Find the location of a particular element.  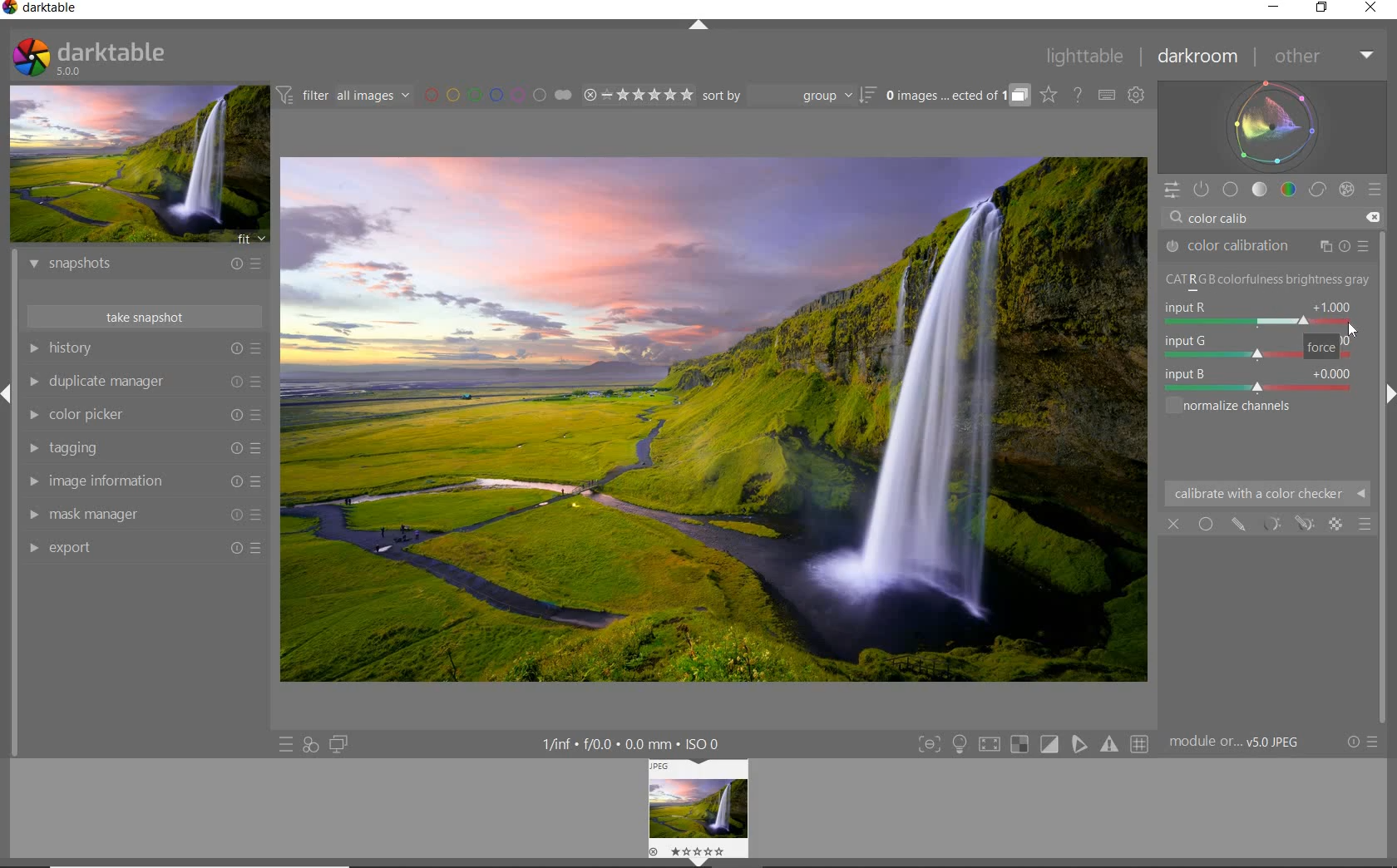

history is located at coordinates (144, 348).